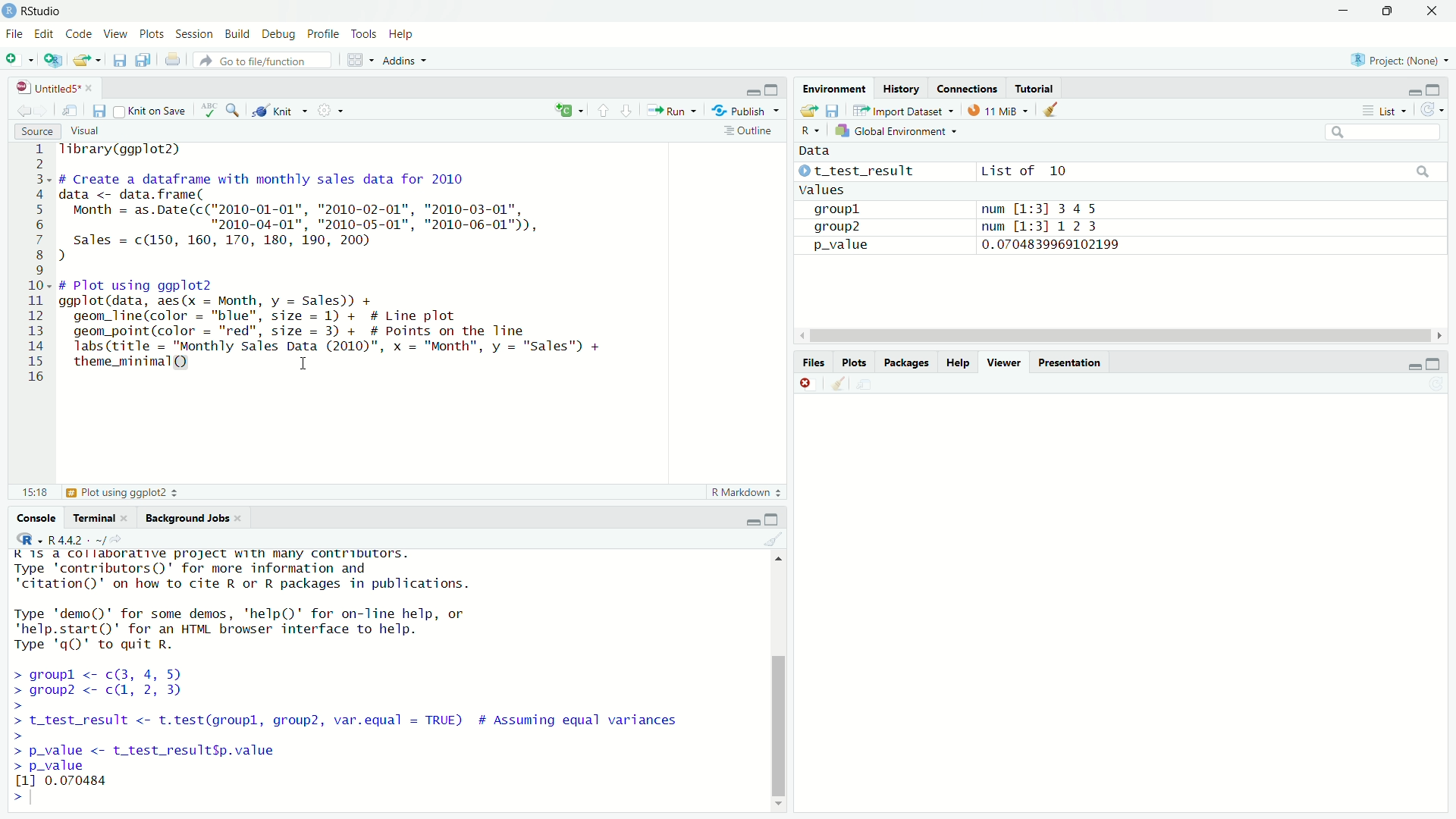 This screenshot has width=1456, height=819. What do you see at coordinates (71, 108) in the screenshot?
I see `save in new window` at bounding box center [71, 108].